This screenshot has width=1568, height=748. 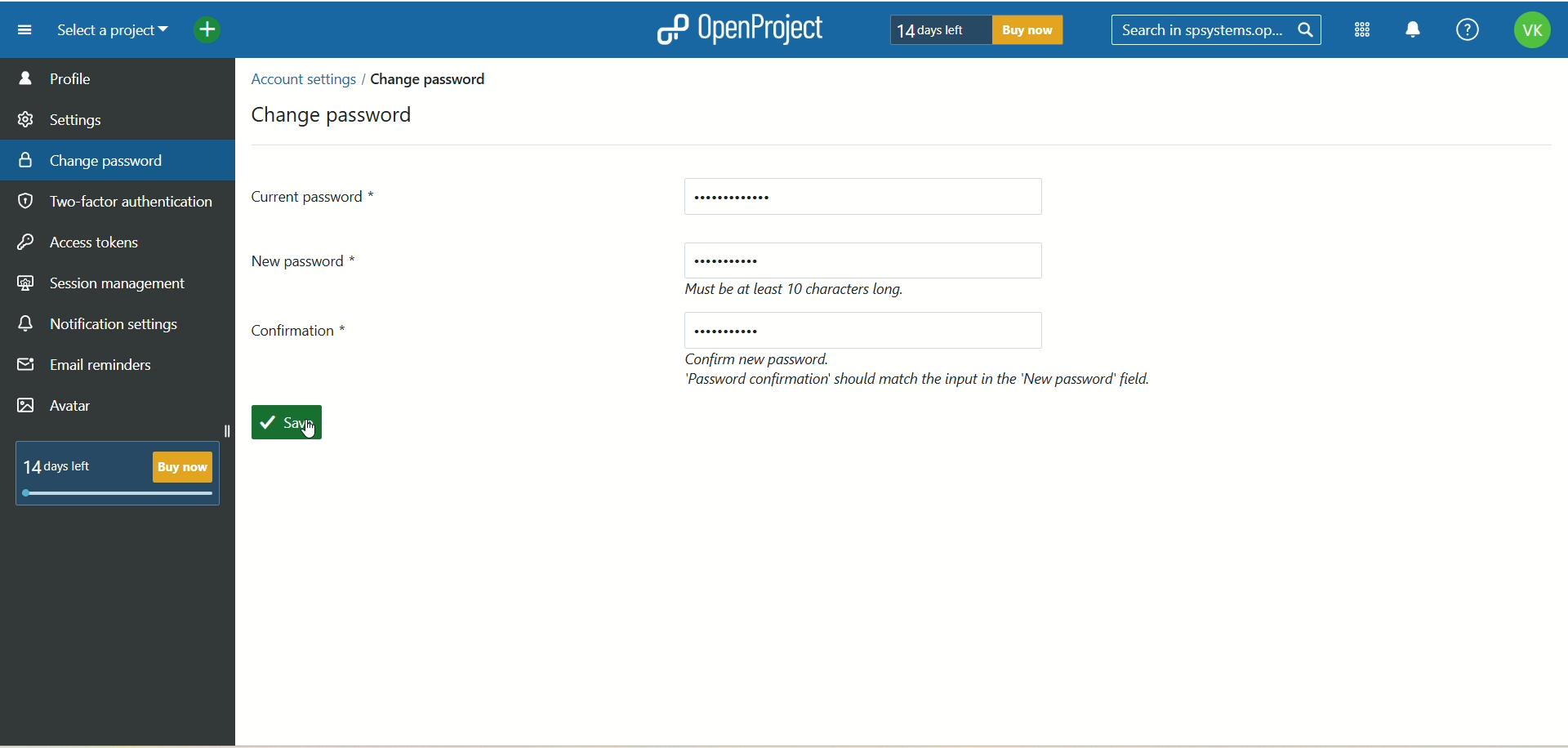 What do you see at coordinates (1365, 30) in the screenshot?
I see `module` at bounding box center [1365, 30].